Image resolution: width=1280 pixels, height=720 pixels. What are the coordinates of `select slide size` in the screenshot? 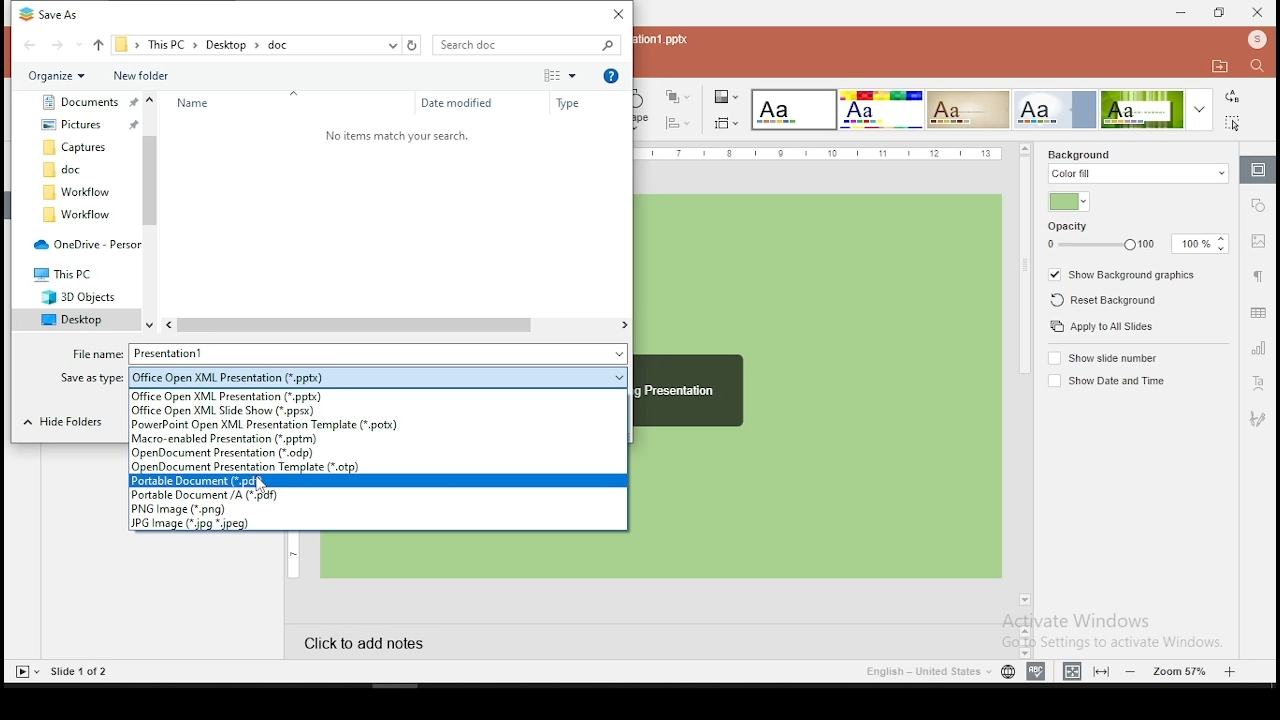 It's located at (727, 122).